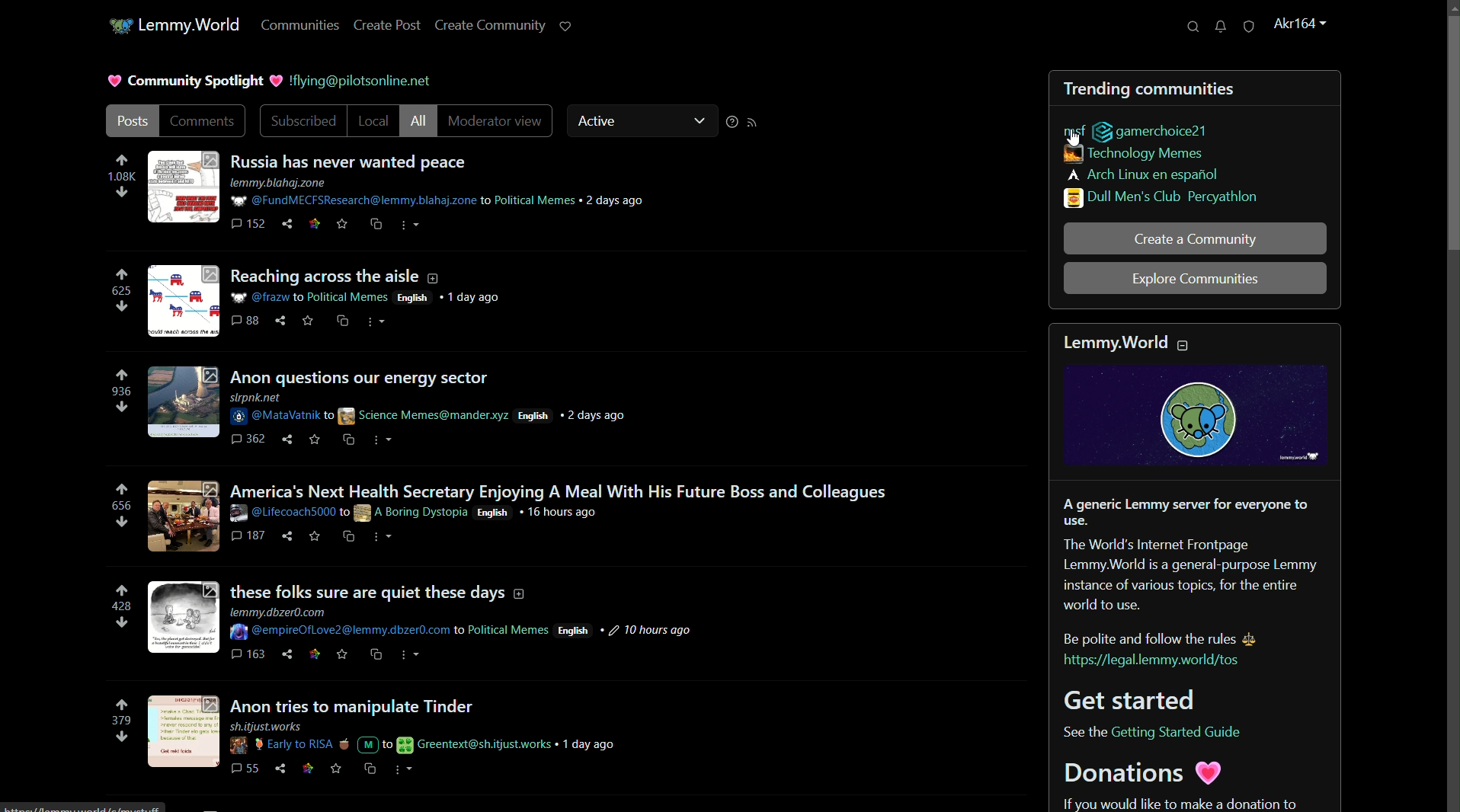  What do you see at coordinates (556, 488) in the screenshot?
I see `post-4` at bounding box center [556, 488].